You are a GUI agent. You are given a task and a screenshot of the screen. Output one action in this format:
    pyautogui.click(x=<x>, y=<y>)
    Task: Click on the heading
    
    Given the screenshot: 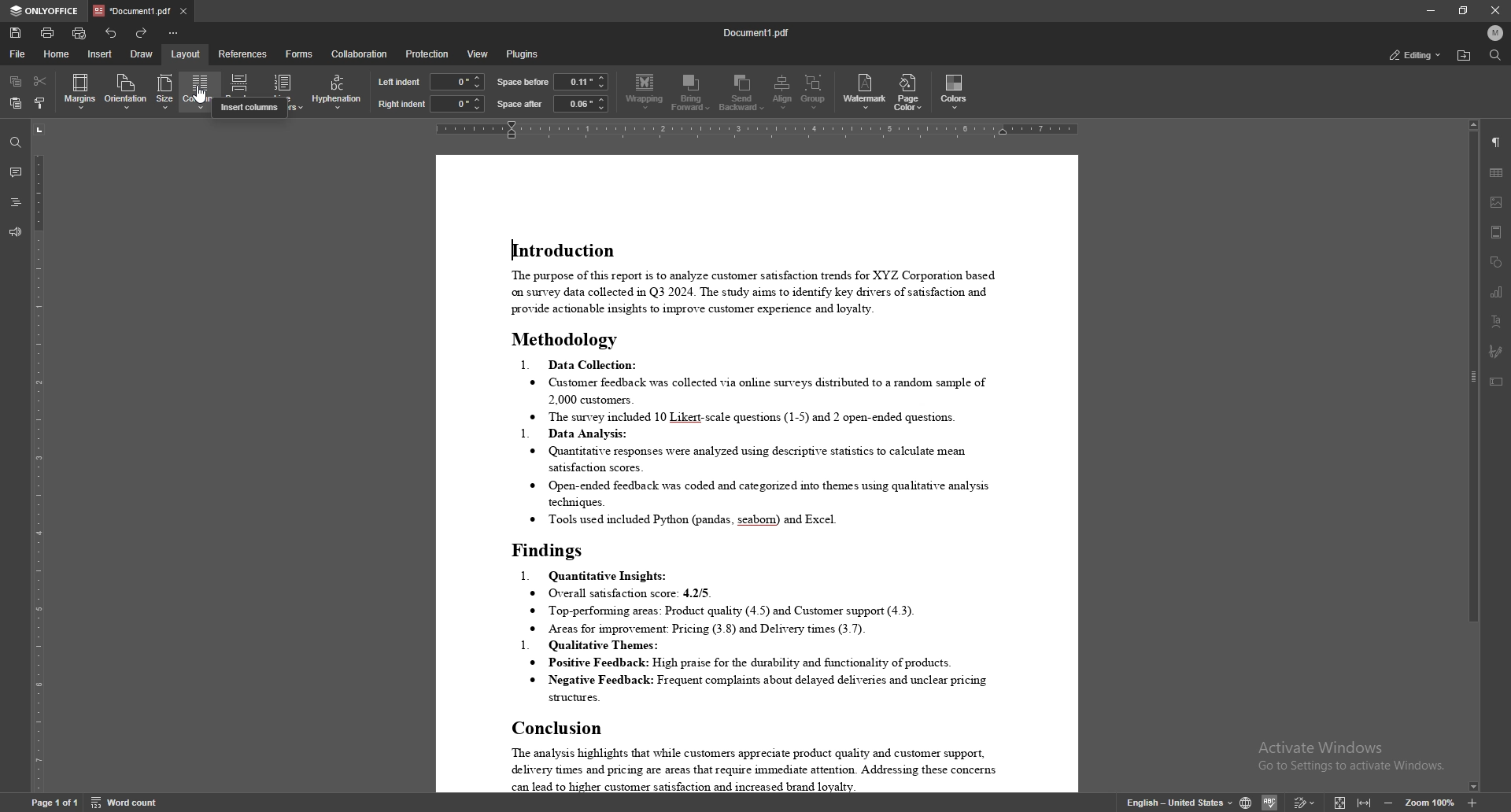 What is the action you would take?
    pyautogui.click(x=16, y=203)
    